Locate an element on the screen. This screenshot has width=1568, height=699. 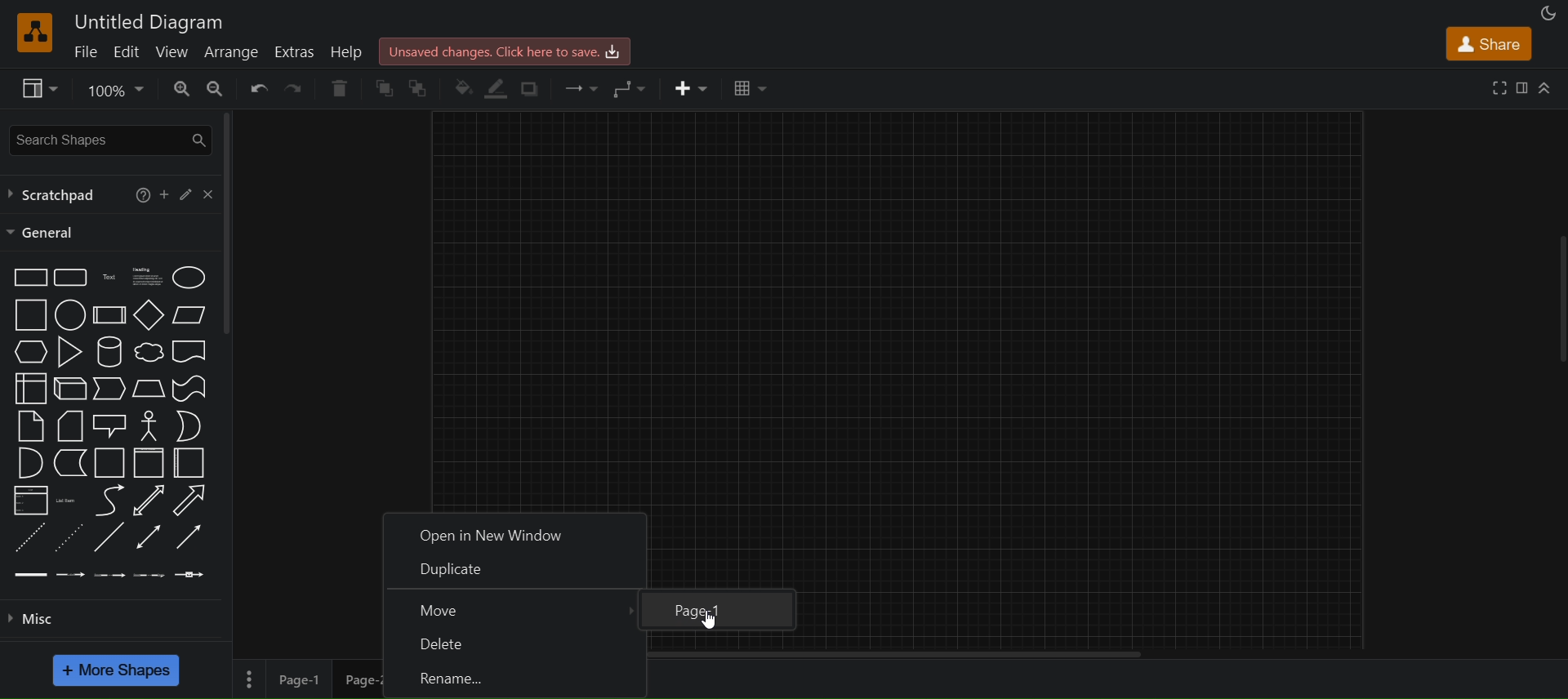
dotted line is located at coordinates (66, 538).